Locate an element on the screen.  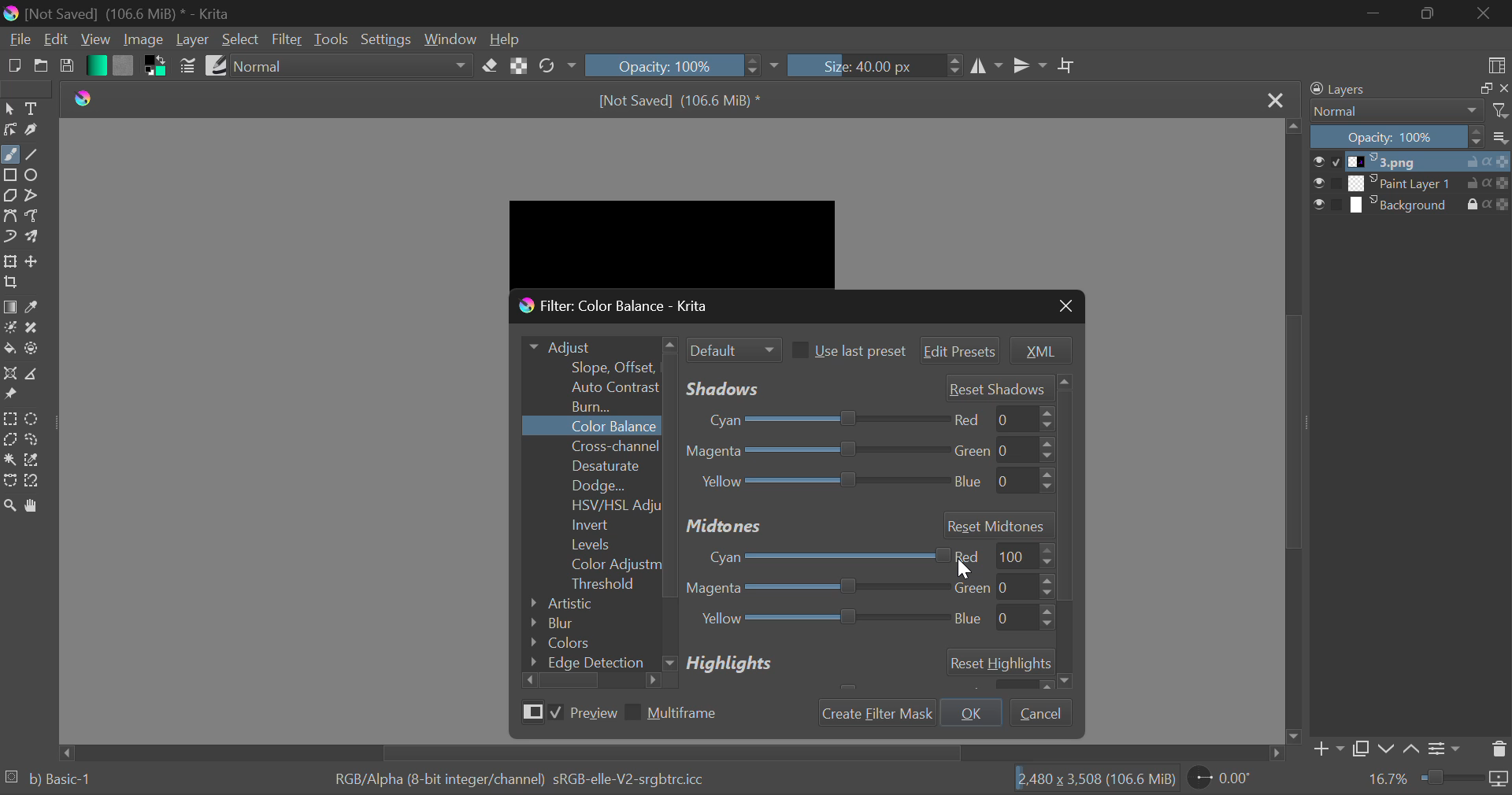
Dodge is located at coordinates (591, 485).